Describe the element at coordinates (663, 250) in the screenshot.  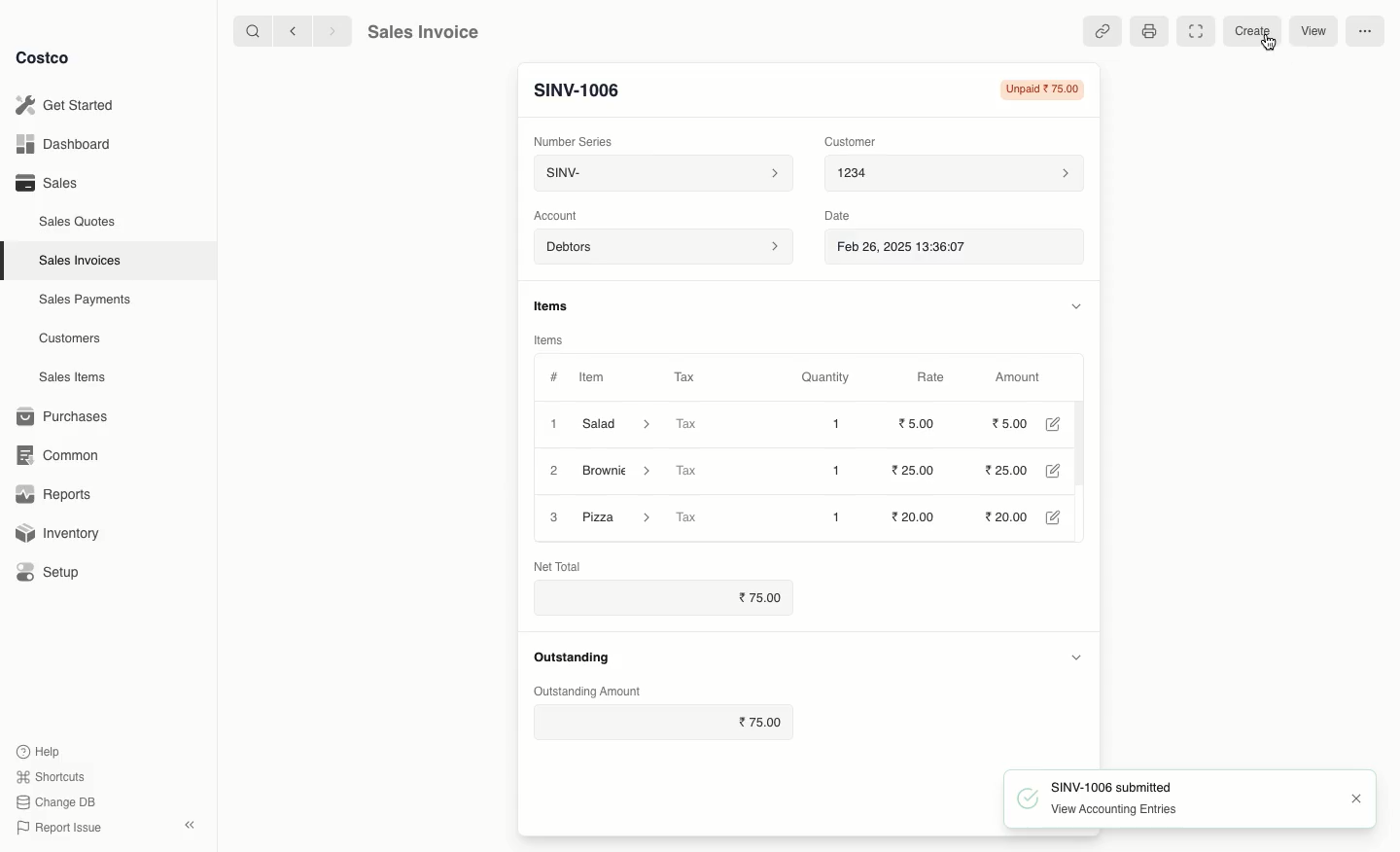
I see `Account` at that location.